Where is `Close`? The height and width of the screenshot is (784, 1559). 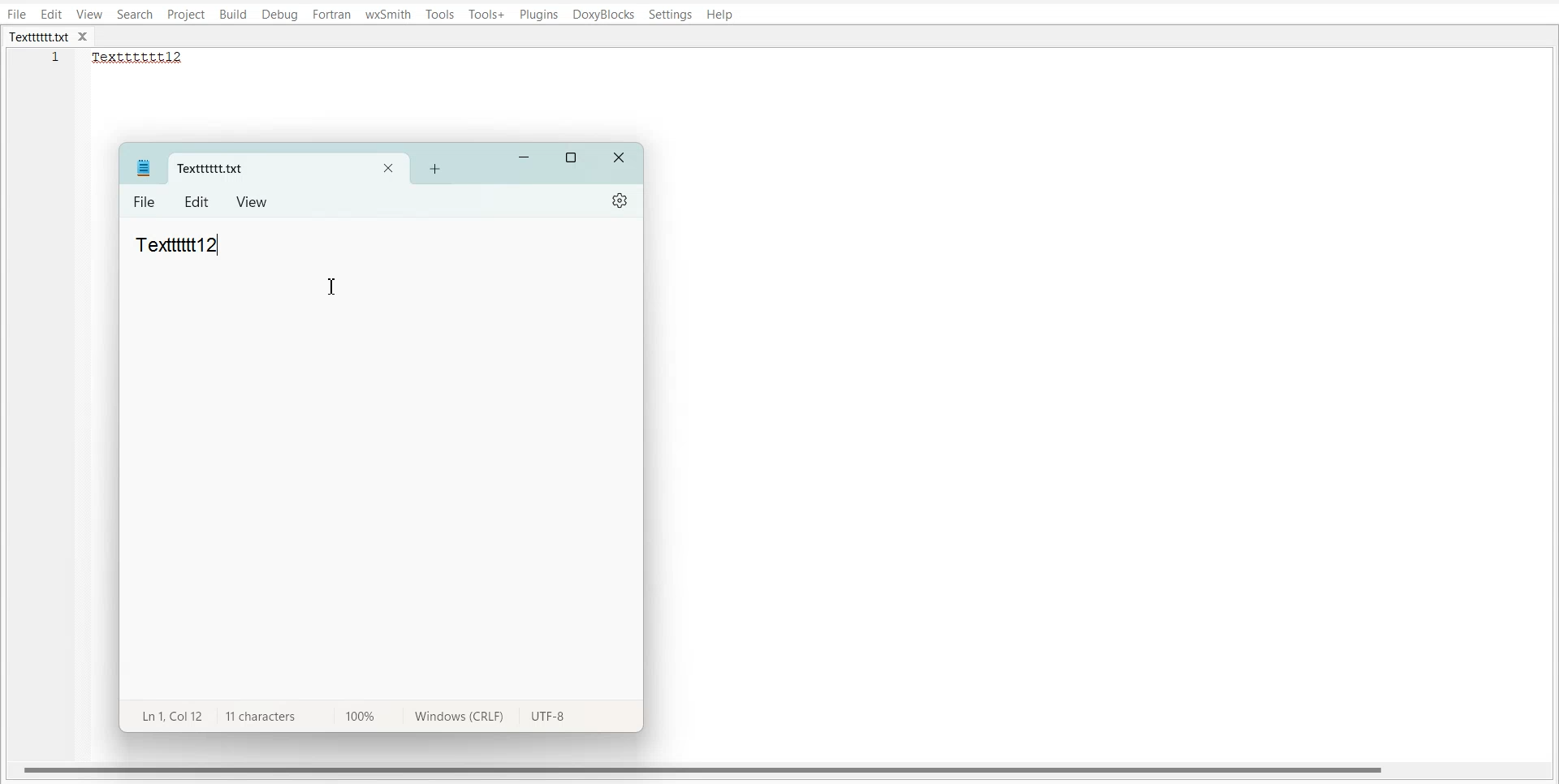
Close is located at coordinates (620, 159).